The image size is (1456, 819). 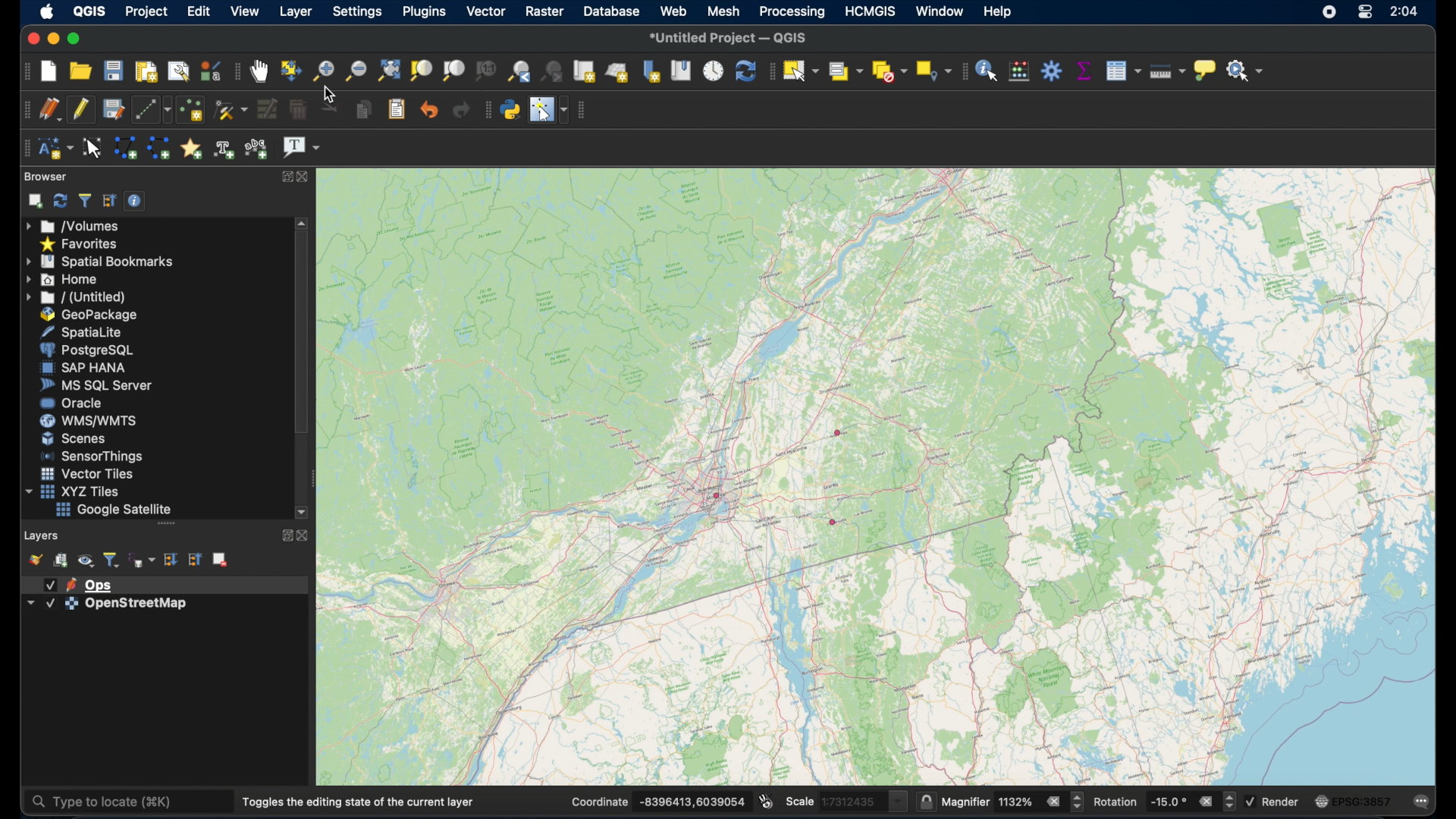 I want to click on modify annotations, so click(x=93, y=149).